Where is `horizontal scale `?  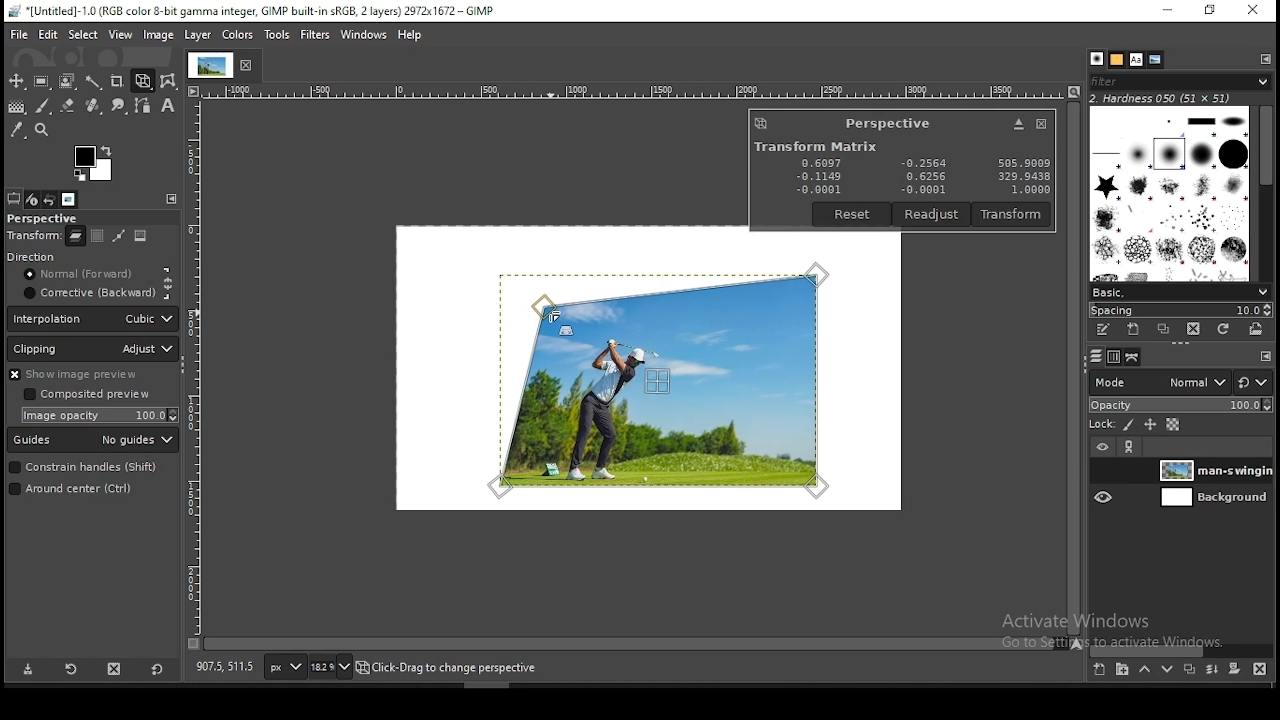
horizontal scale  is located at coordinates (633, 89).